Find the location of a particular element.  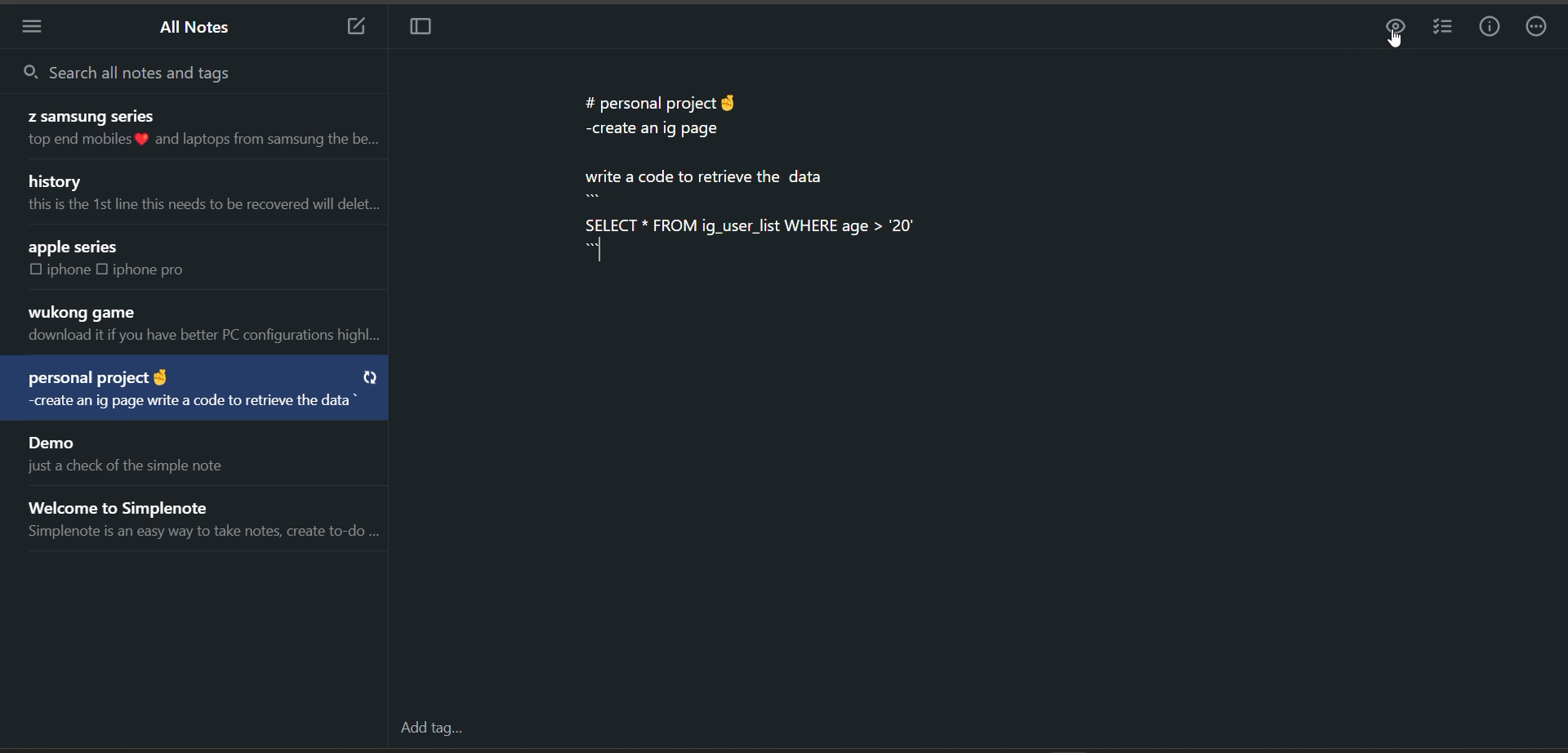

note title  and preview is located at coordinates (201, 195).